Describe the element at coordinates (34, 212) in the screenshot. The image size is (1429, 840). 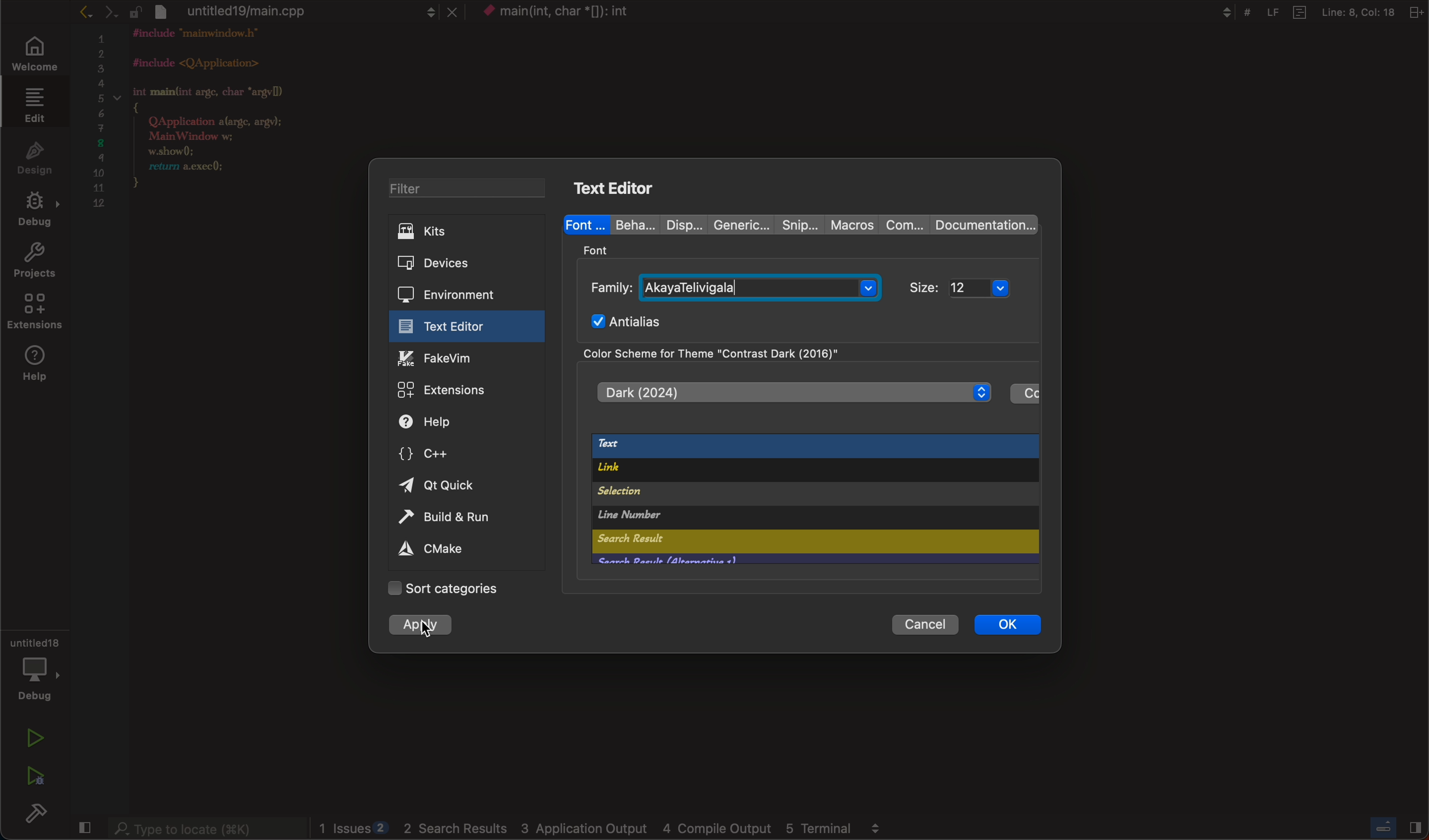
I see `debug` at that location.